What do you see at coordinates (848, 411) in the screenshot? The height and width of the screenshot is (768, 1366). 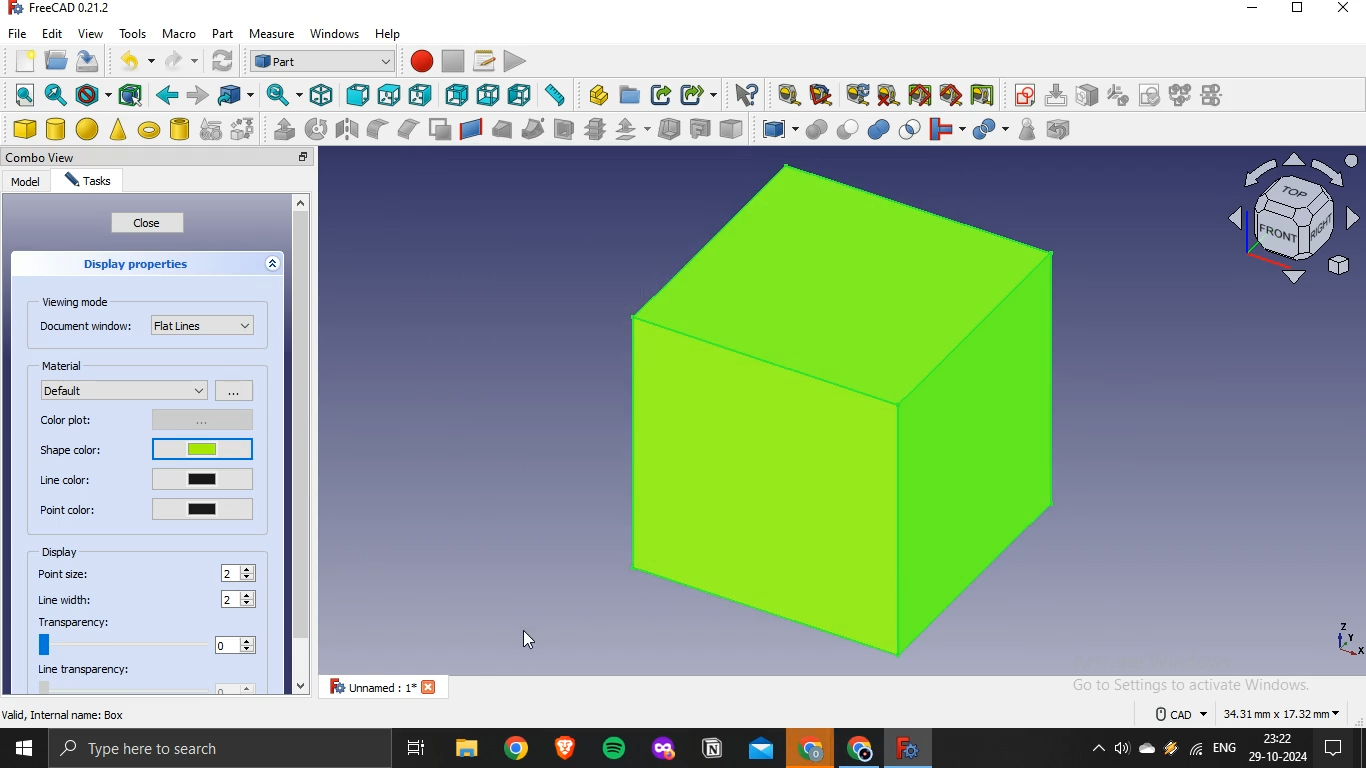 I see `cube image` at bounding box center [848, 411].